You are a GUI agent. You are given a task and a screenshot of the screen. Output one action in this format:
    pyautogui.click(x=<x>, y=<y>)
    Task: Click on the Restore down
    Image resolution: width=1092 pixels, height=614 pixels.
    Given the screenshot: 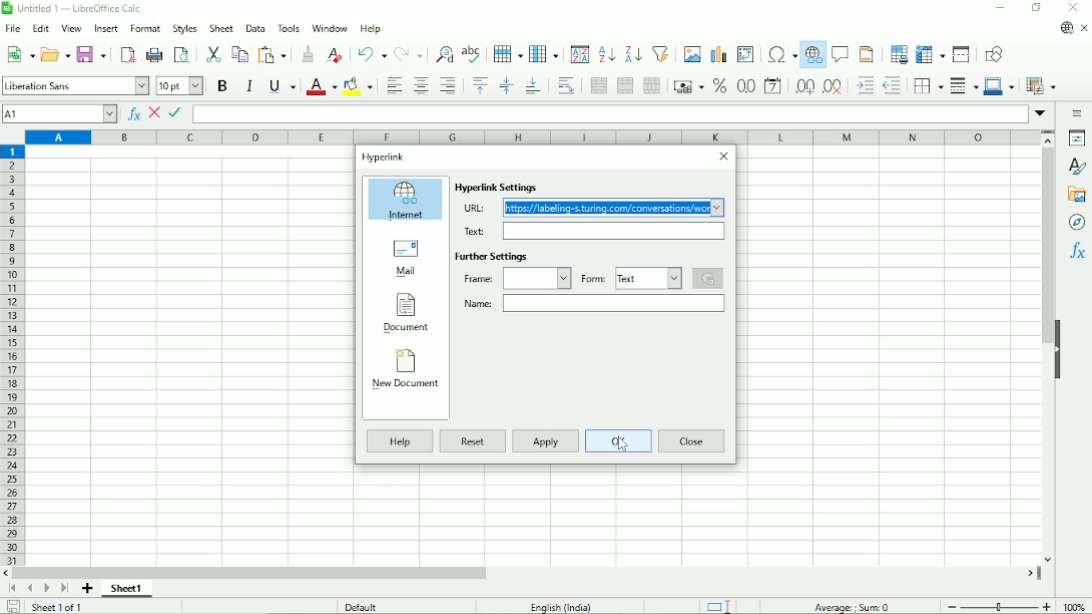 What is the action you would take?
    pyautogui.click(x=1038, y=8)
    